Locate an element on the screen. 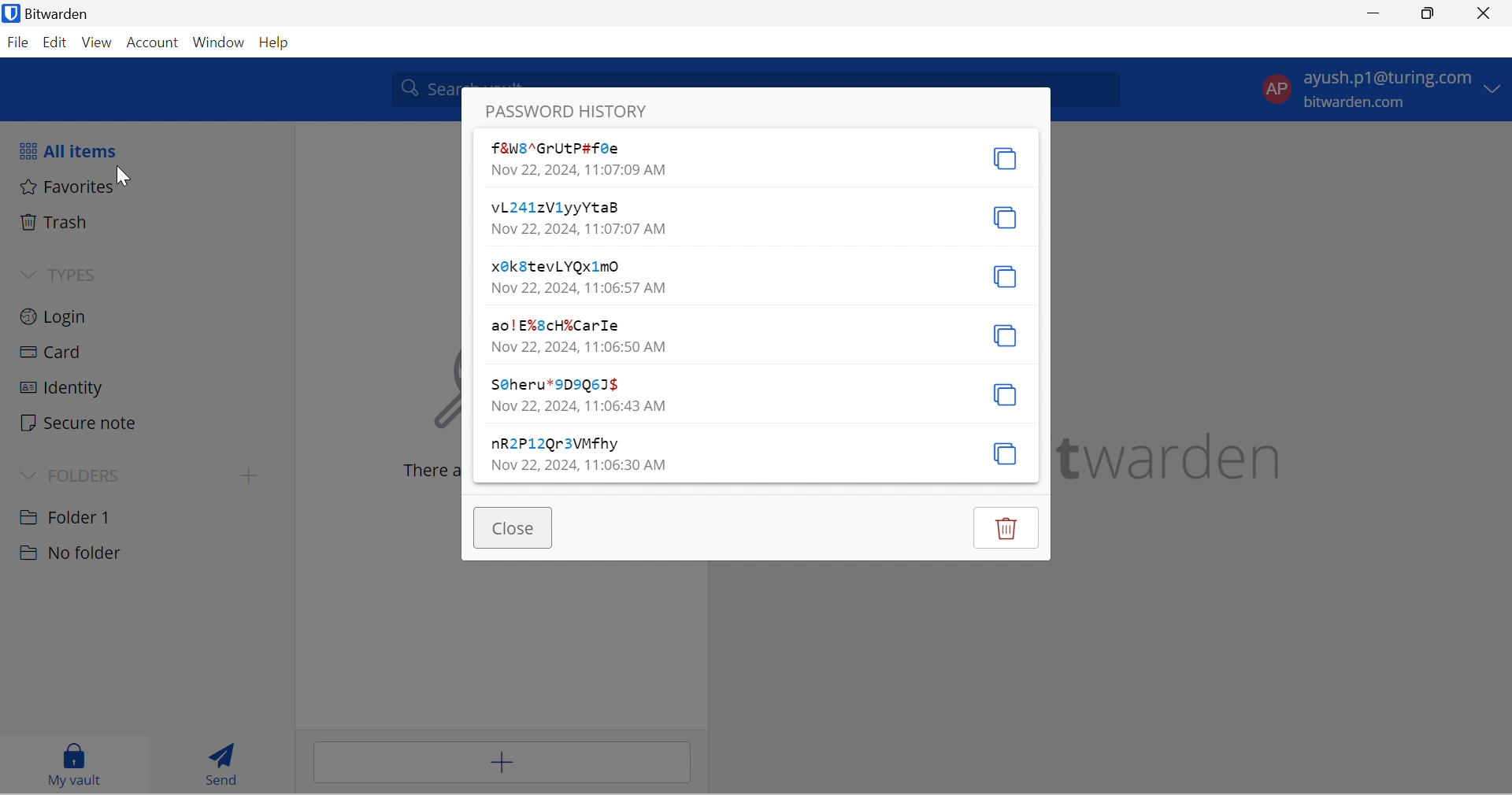  Copy is located at coordinates (1003, 219).